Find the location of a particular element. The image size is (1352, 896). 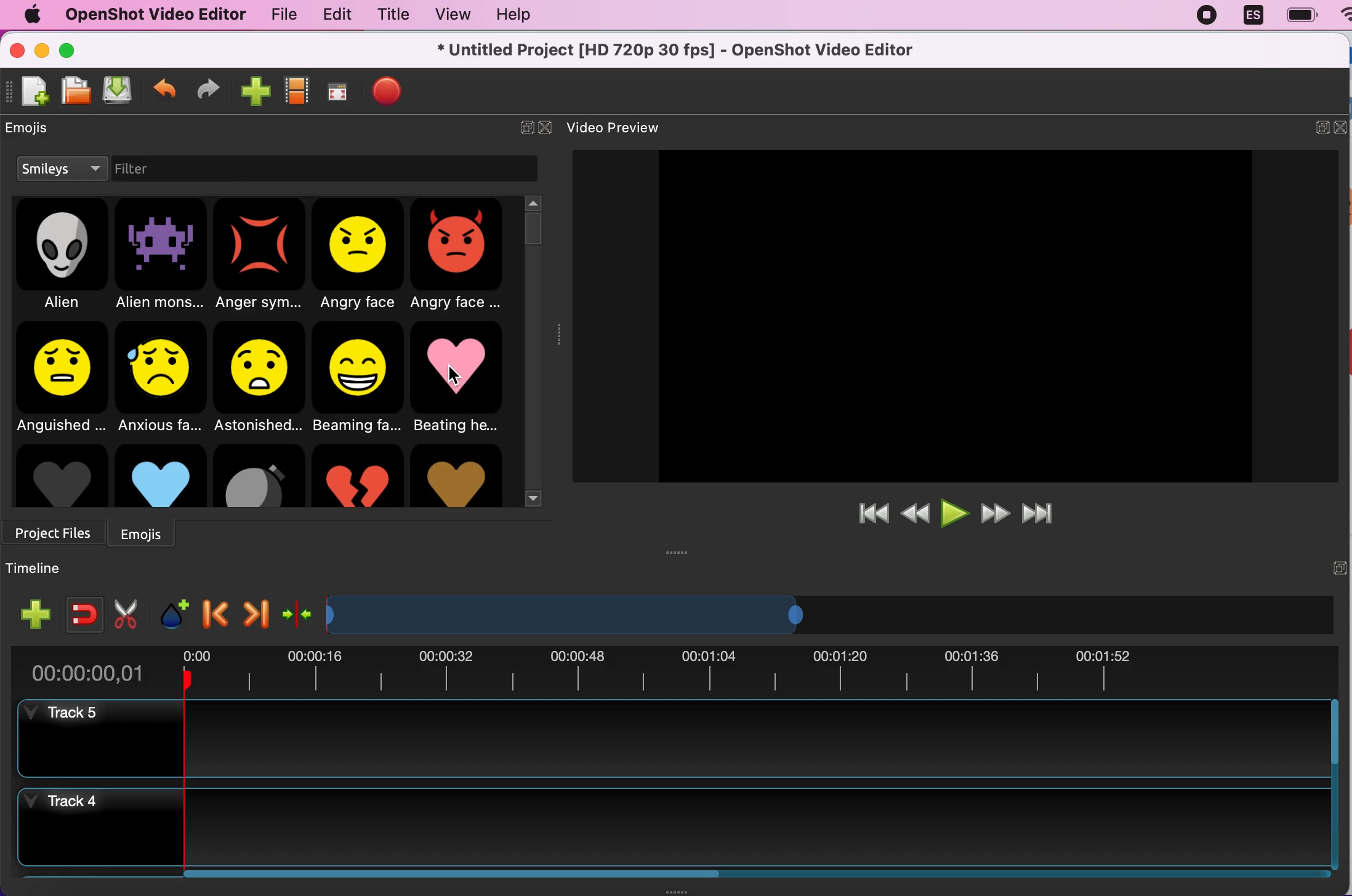

expand/hide is located at coordinates (1322, 126).